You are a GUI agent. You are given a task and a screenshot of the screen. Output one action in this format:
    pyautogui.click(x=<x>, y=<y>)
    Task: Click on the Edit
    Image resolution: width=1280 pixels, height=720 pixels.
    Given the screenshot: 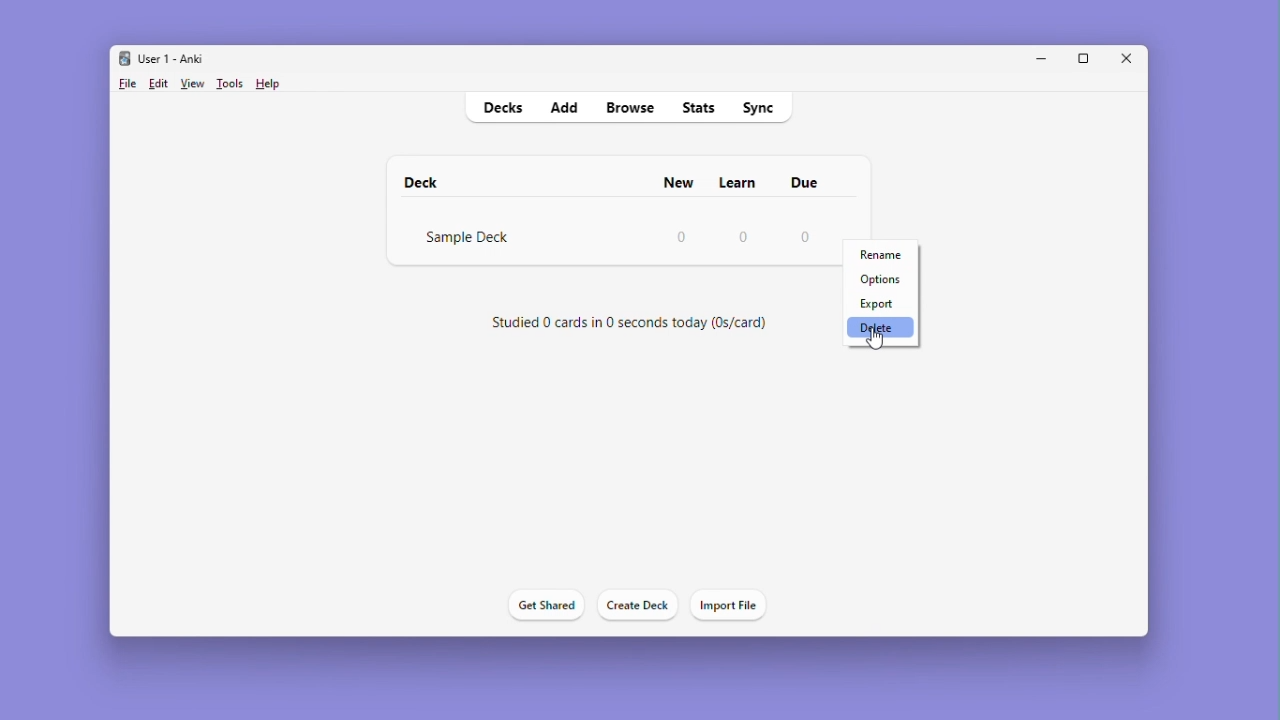 What is the action you would take?
    pyautogui.click(x=159, y=83)
    